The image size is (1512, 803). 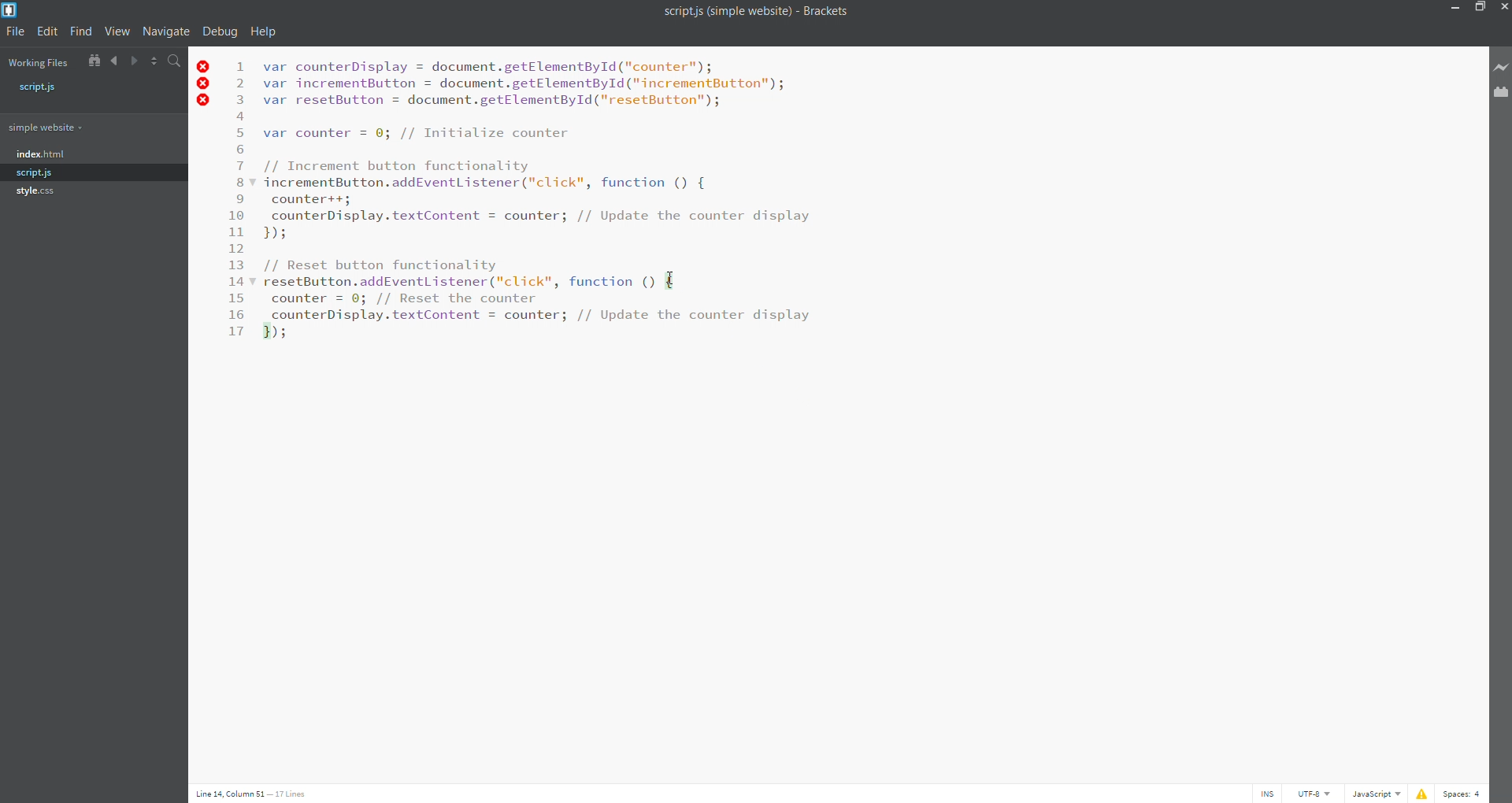 I want to click on view, so click(x=117, y=31).